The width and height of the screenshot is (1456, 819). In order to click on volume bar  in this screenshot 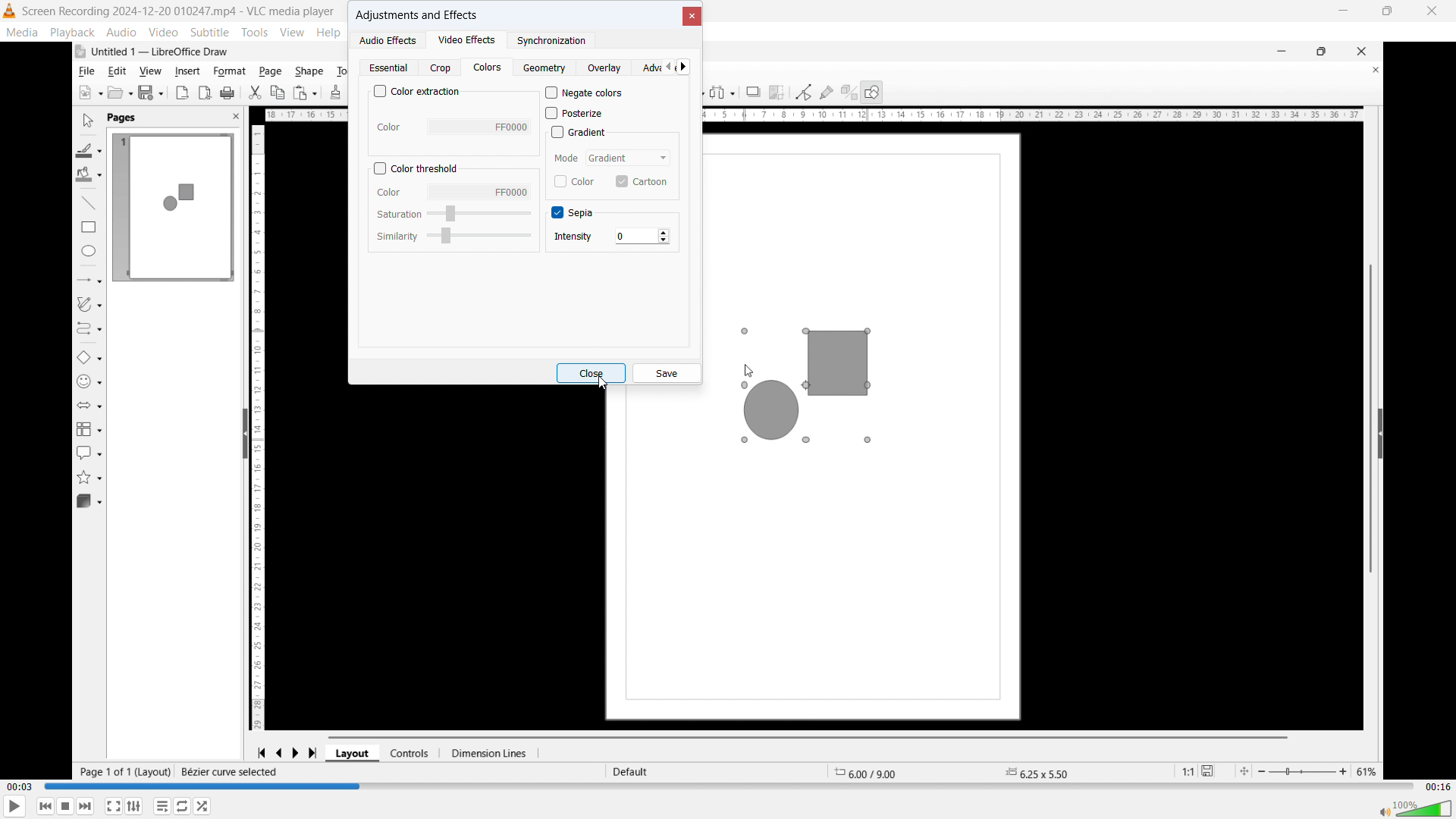, I will do `click(1416, 808)`.